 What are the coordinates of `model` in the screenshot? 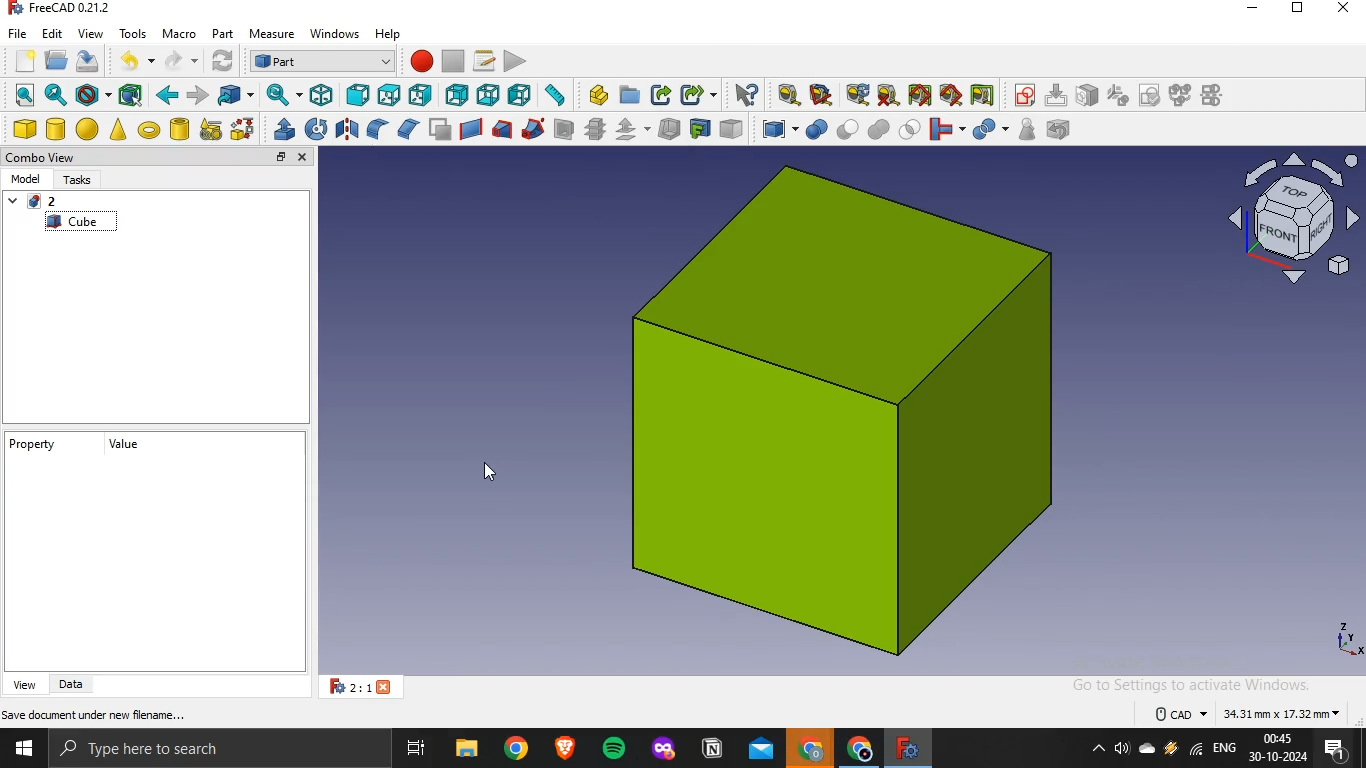 It's located at (28, 179).